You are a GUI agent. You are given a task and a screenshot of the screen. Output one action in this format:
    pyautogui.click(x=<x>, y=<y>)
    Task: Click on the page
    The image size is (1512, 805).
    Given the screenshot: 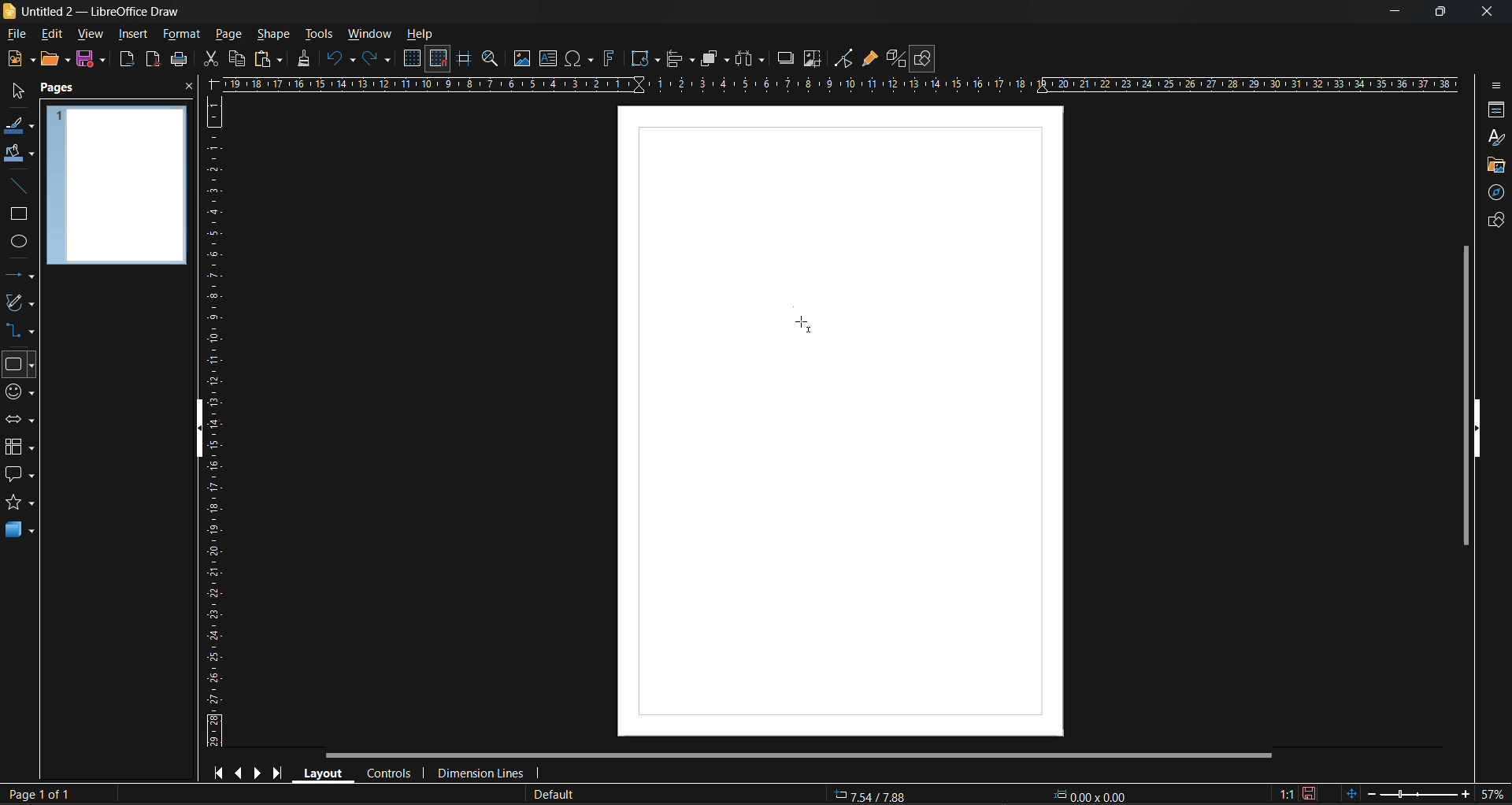 What is the action you would take?
    pyautogui.click(x=229, y=33)
    